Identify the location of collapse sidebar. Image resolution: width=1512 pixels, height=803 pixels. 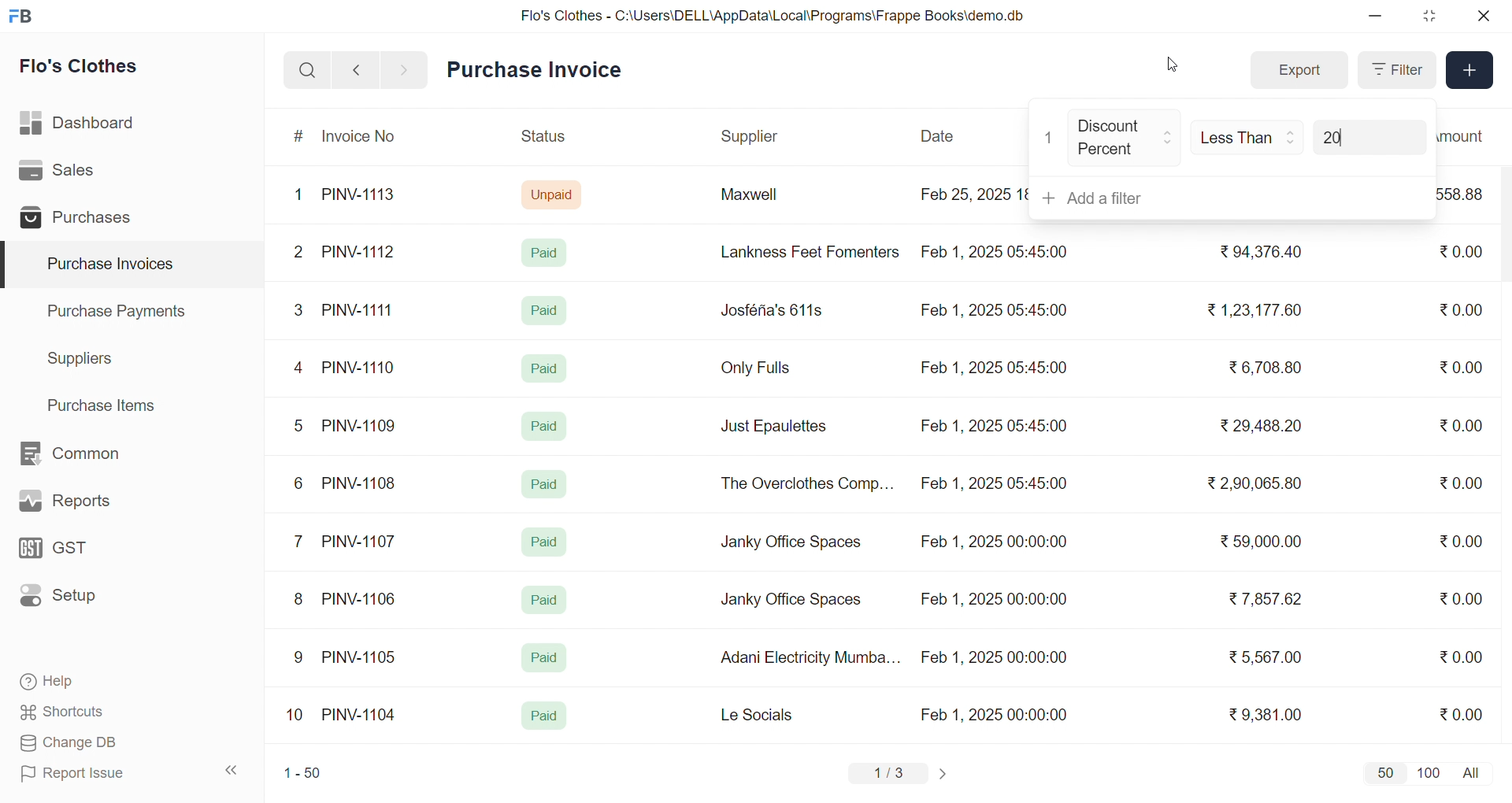
(232, 771).